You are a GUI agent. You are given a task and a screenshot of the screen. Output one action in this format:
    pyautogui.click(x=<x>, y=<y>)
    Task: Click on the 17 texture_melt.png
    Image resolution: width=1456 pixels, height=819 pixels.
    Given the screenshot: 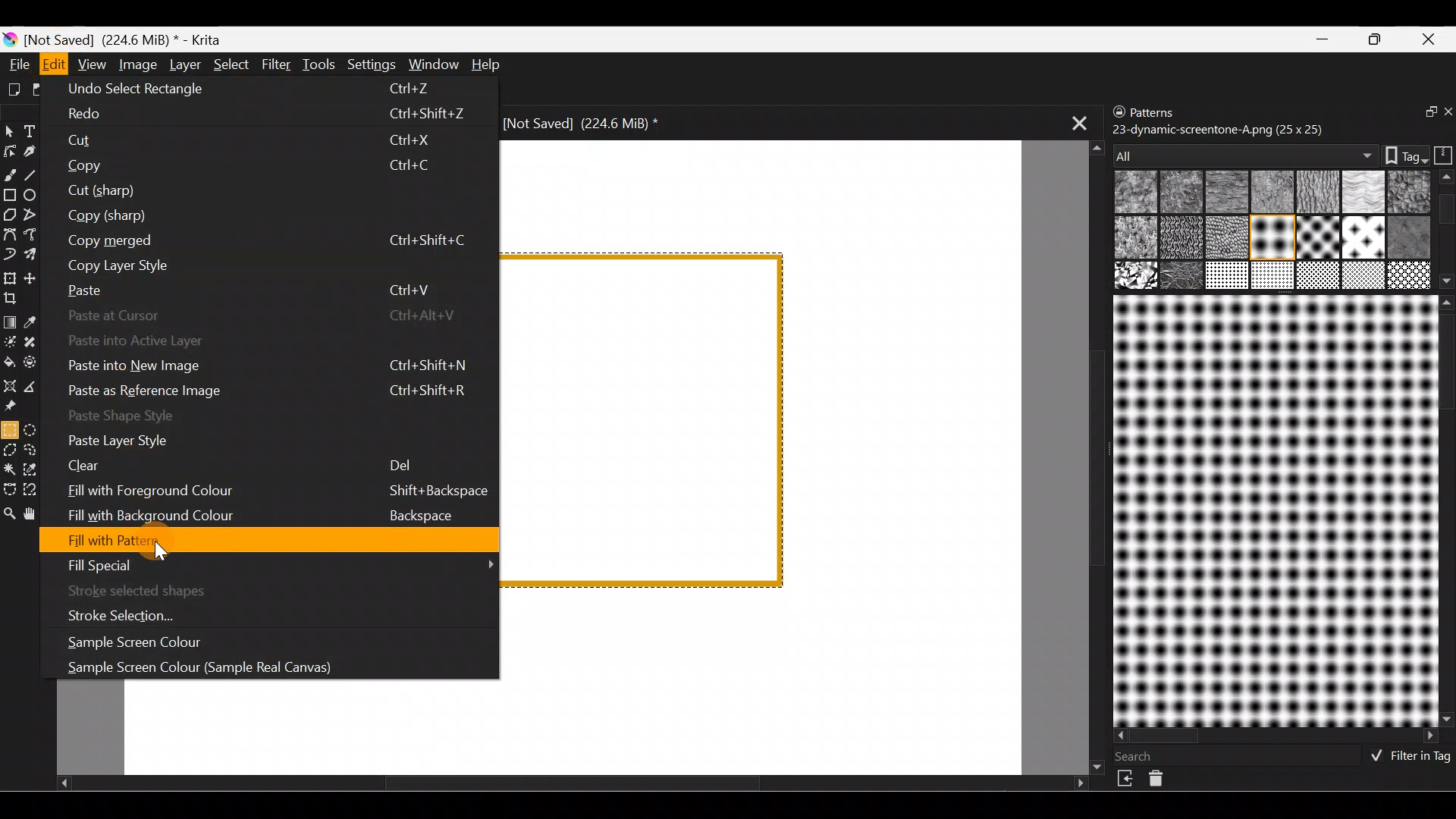 What is the action you would take?
    pyautogui.click(x=1274, y=275)
    